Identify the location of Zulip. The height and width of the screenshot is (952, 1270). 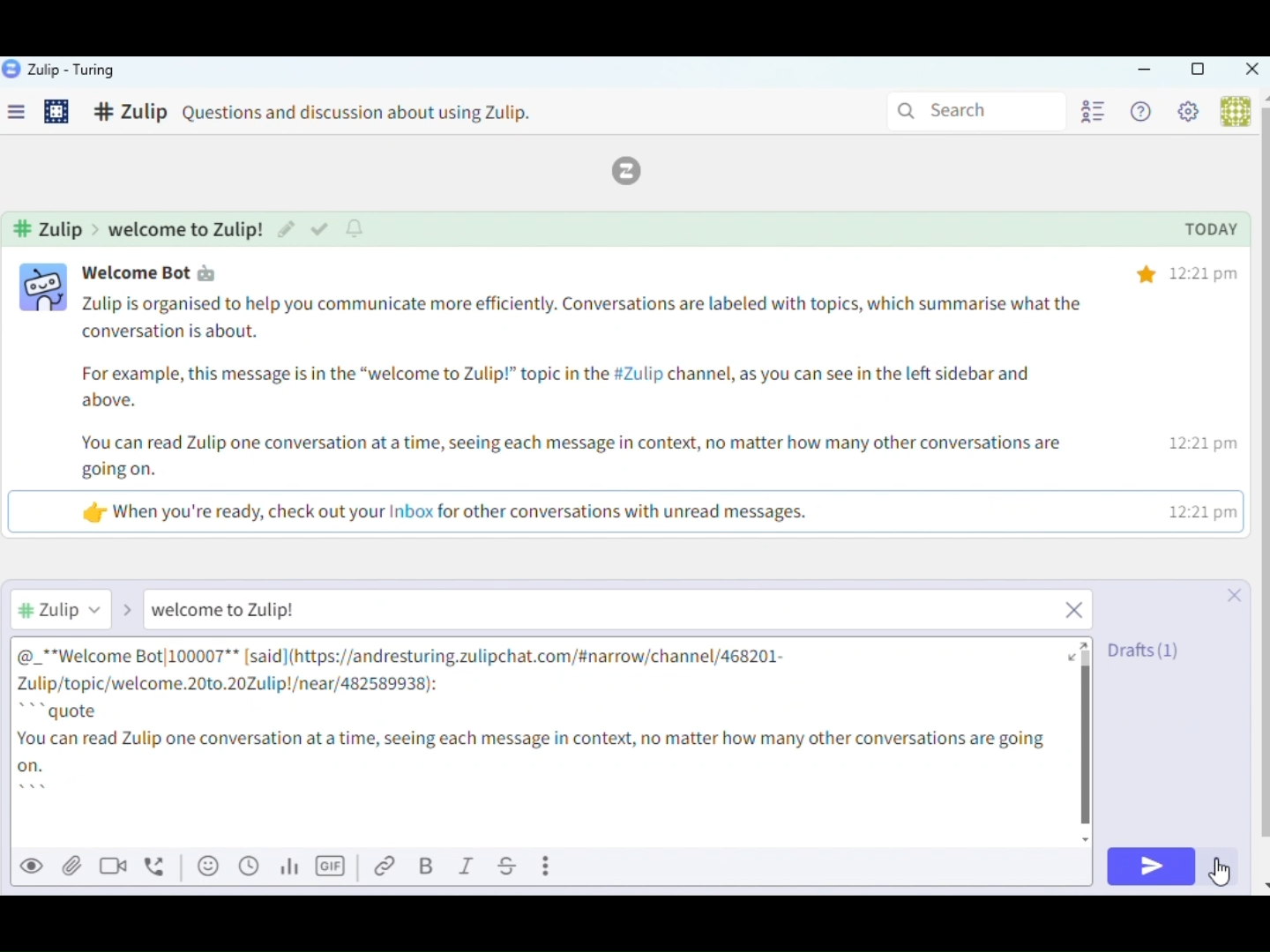
(637, 171).